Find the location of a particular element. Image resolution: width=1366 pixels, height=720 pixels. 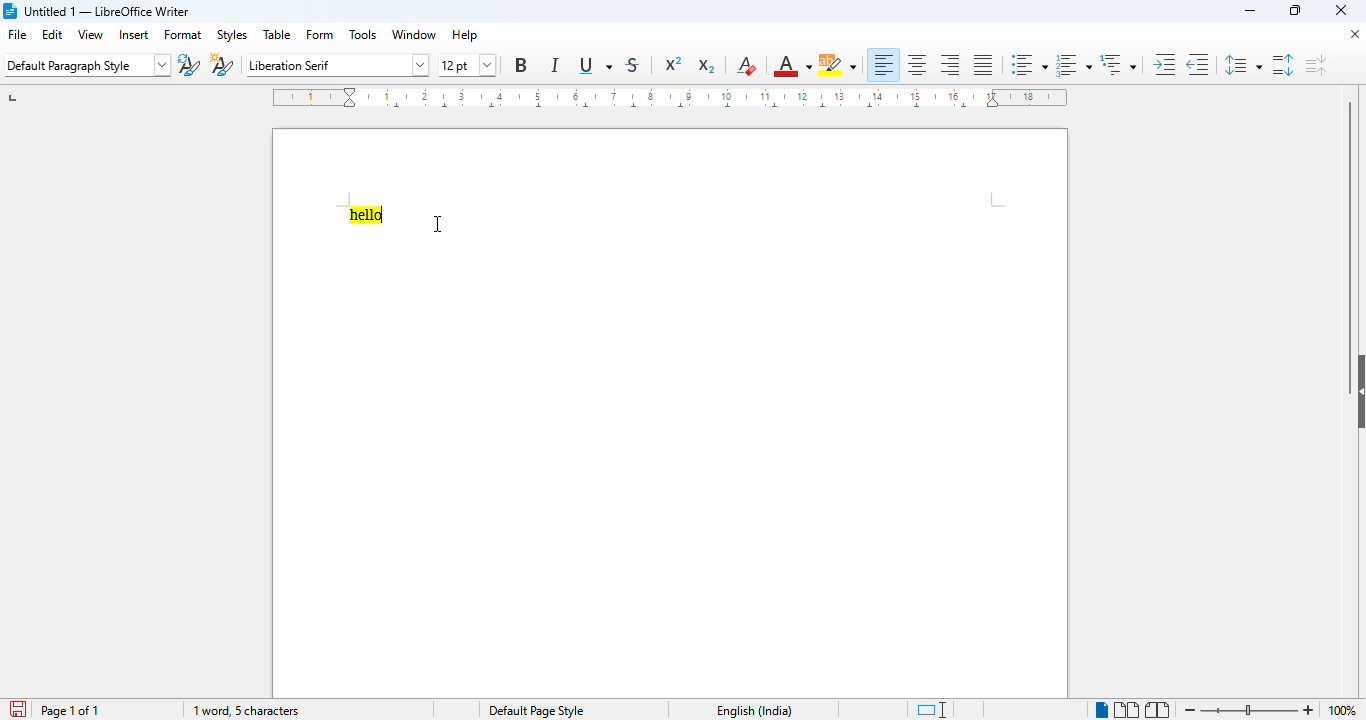

character highlighting color is located at coordinates (837, 65).